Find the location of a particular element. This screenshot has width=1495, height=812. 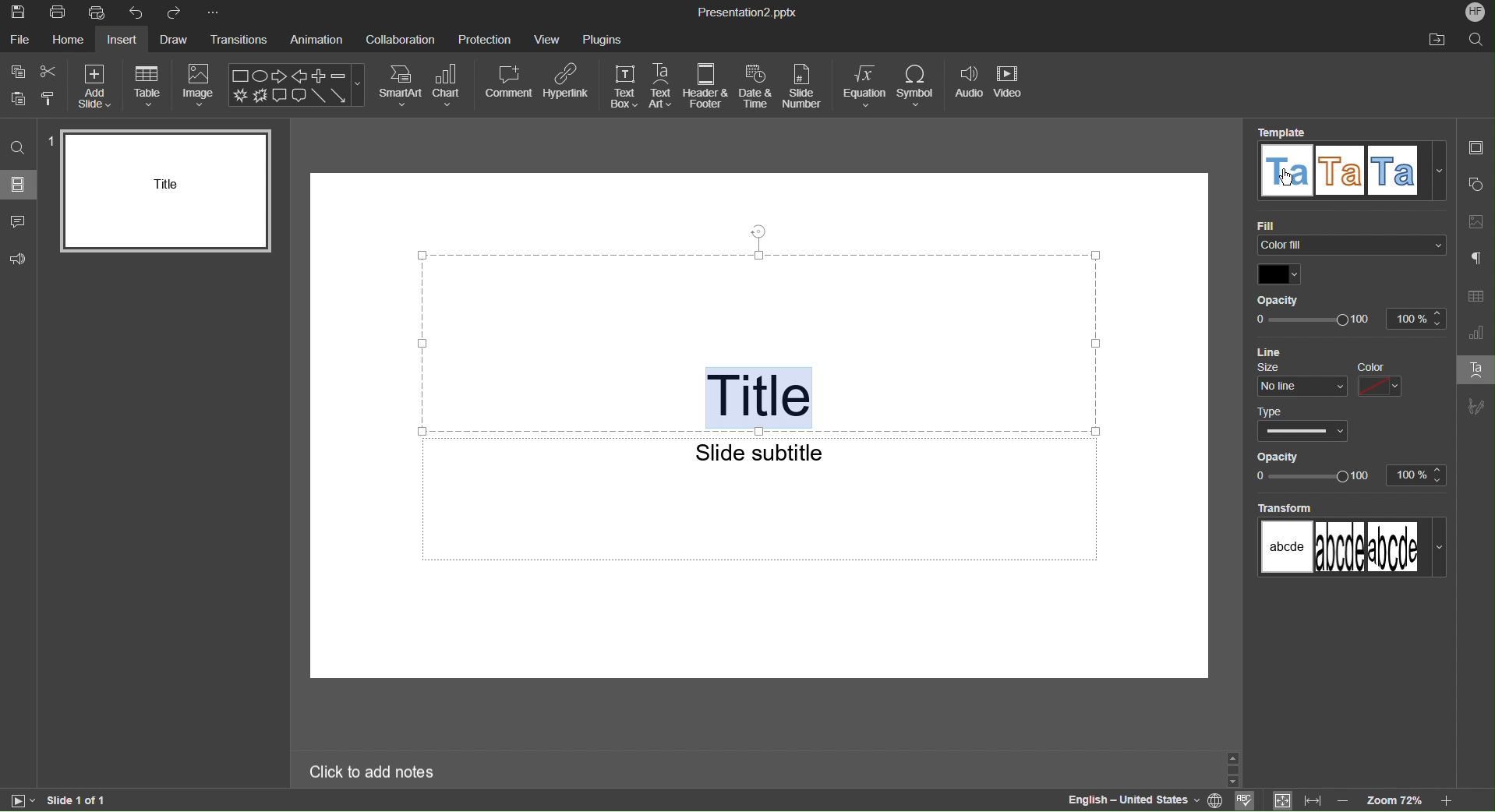

Insert is located at coordinates (121, 40).